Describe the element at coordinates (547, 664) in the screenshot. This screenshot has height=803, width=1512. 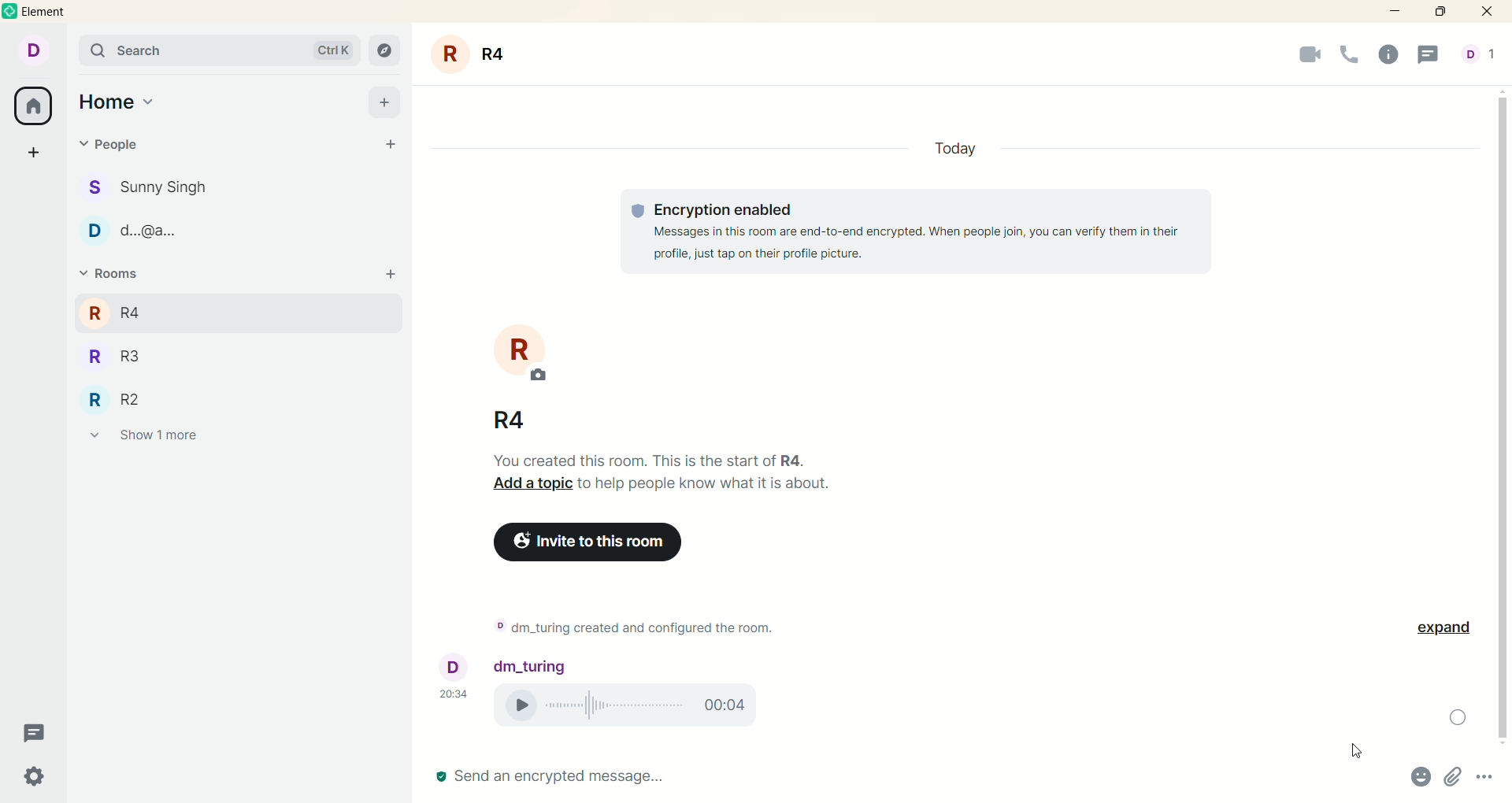
I see `` at that location.